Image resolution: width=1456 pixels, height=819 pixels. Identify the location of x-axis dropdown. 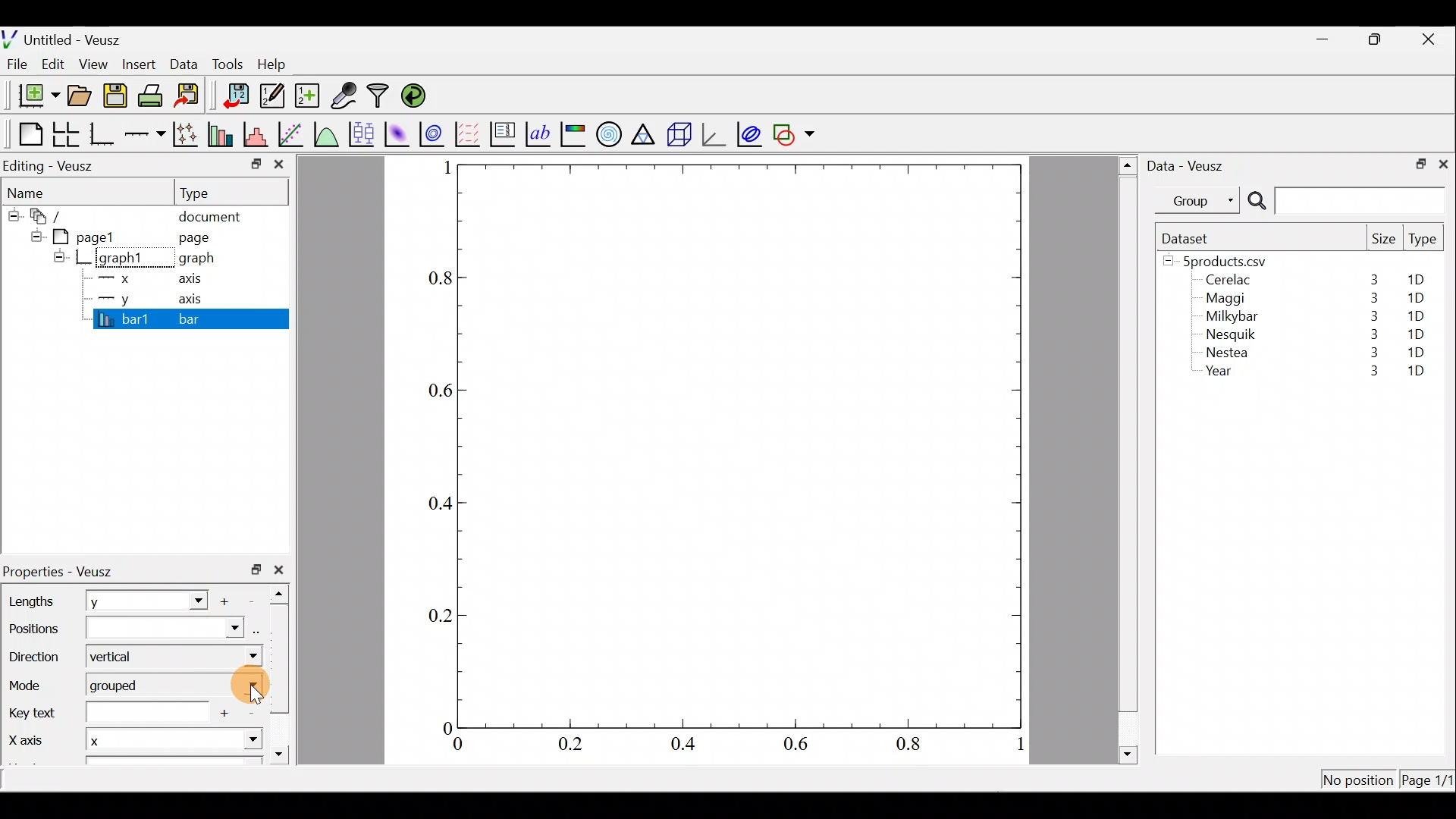
(237, 746).